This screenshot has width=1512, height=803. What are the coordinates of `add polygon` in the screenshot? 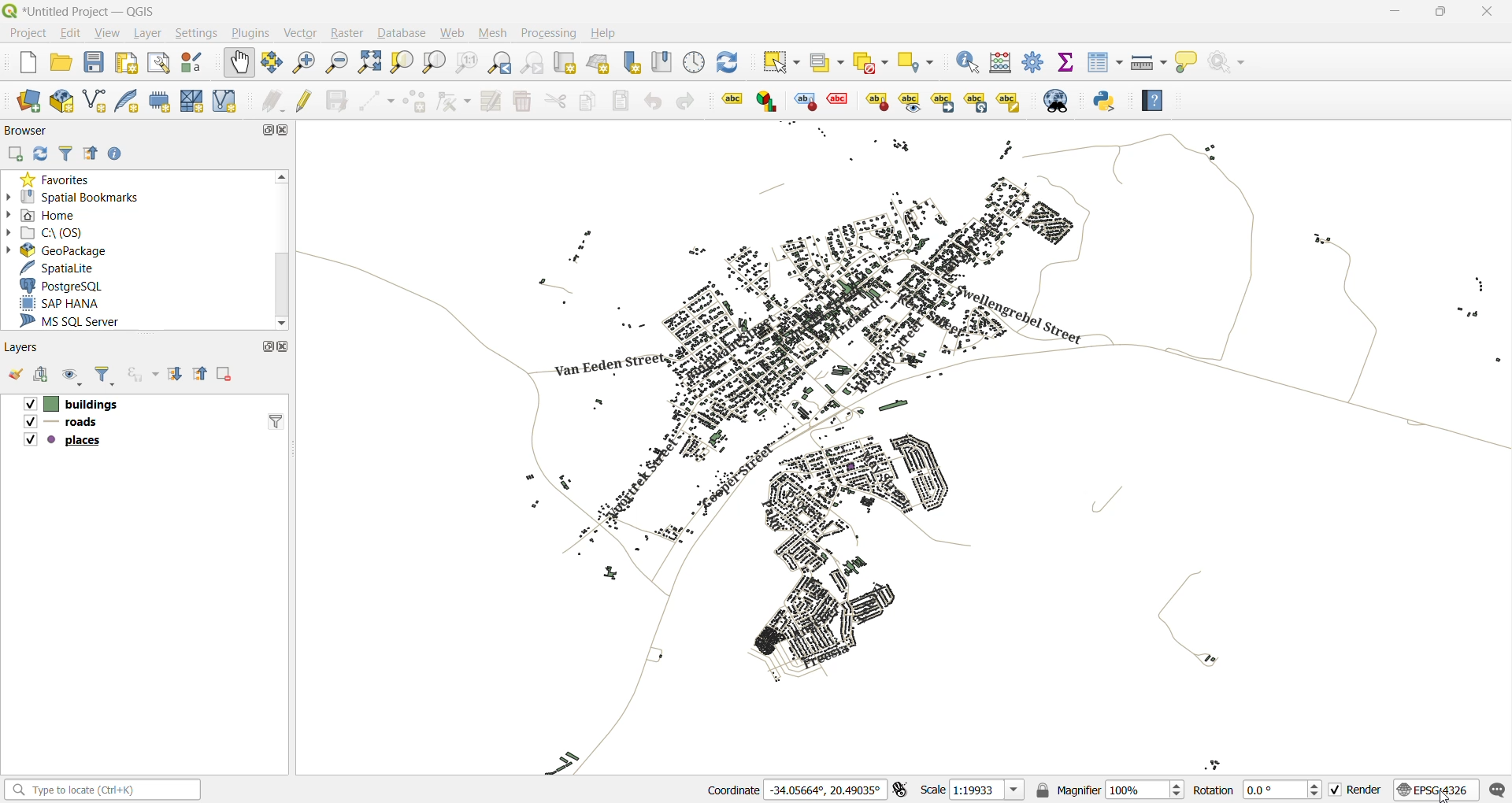 It's located at (412, 103).